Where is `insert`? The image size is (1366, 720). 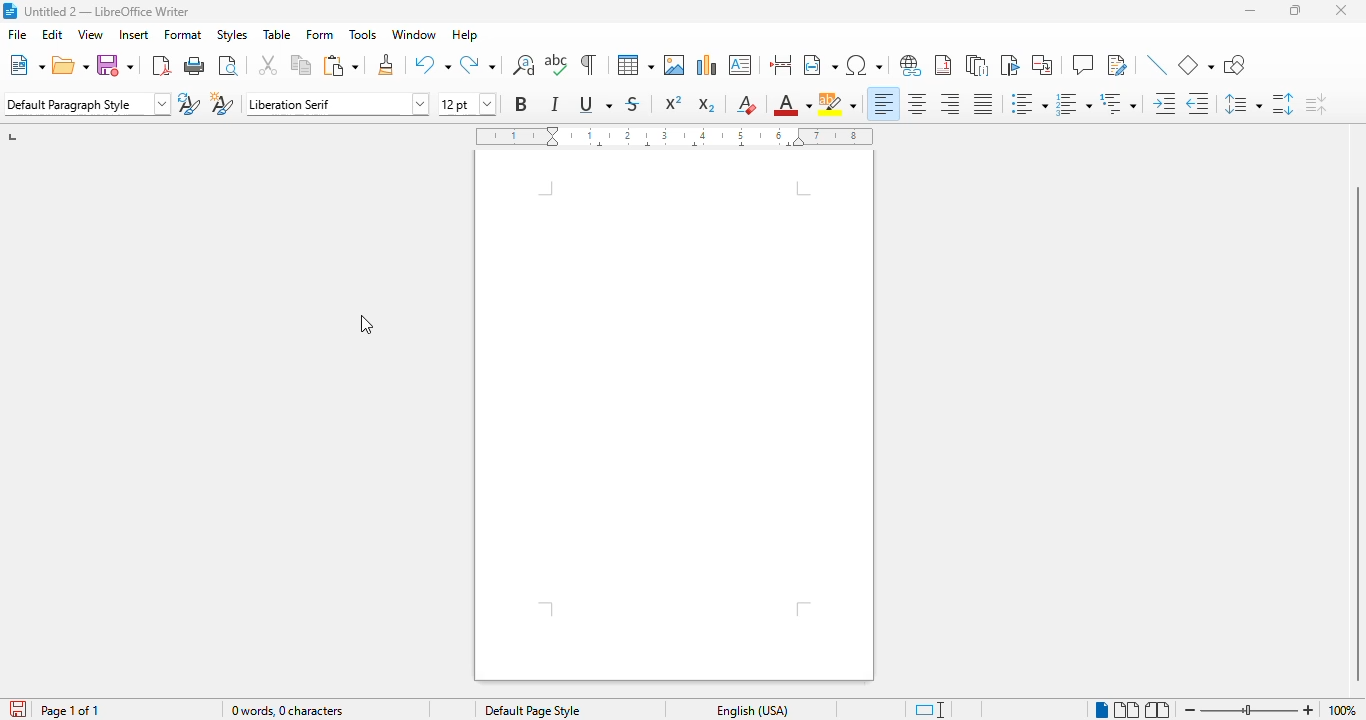 insert is located at coordinates (134, 35).